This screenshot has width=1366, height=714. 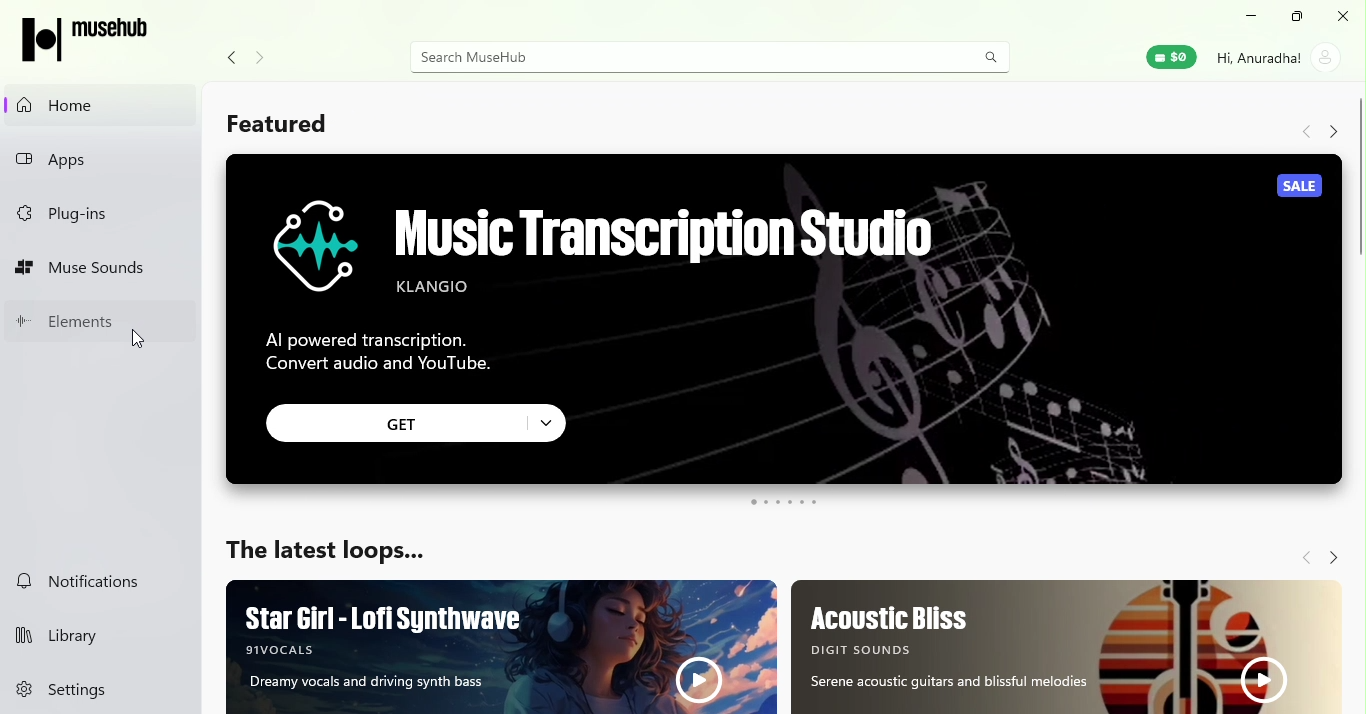 I want to click on Plug-ins, so click(x=105, y=215).